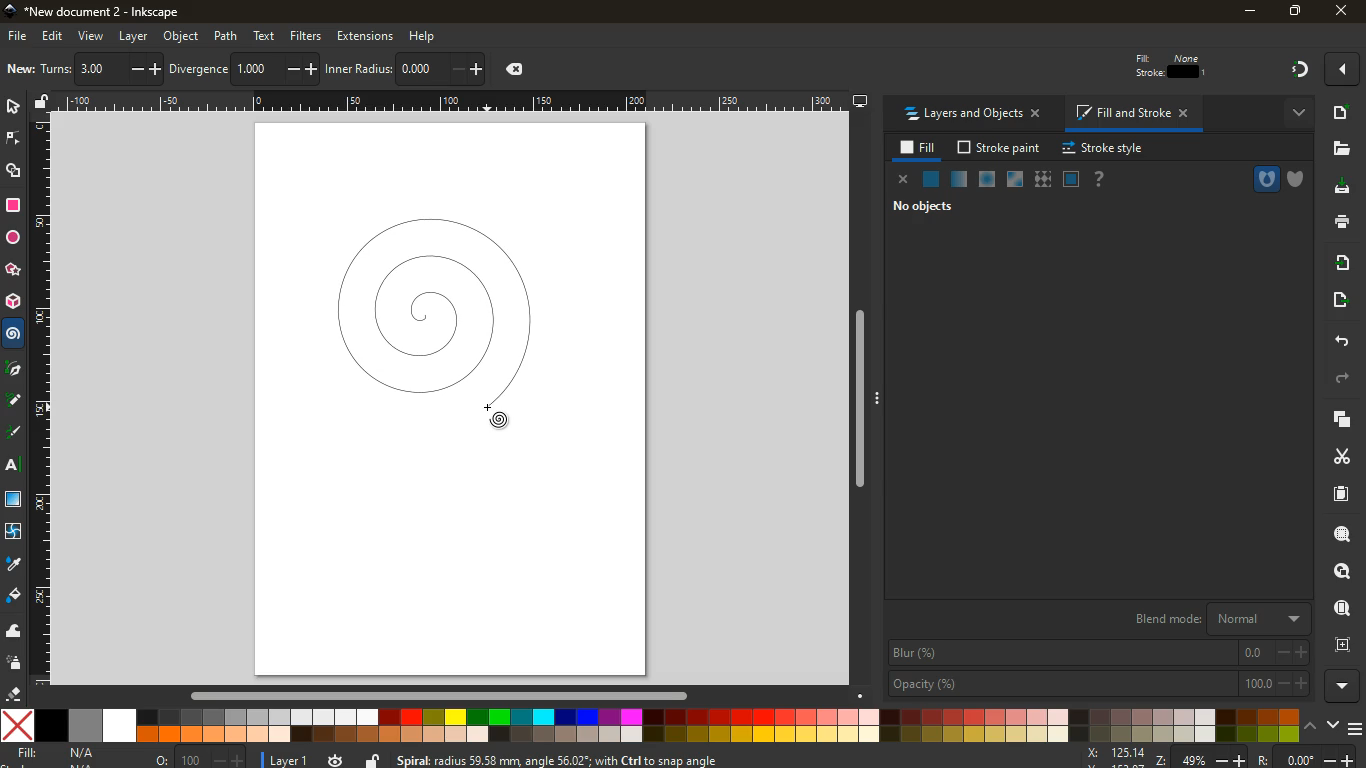 Image resolution: width=1366 pixels, height=768 pixels. What do you see at coordinates (903, 179) in the screenshot?
I see `close` at bounding box center [903, 179].